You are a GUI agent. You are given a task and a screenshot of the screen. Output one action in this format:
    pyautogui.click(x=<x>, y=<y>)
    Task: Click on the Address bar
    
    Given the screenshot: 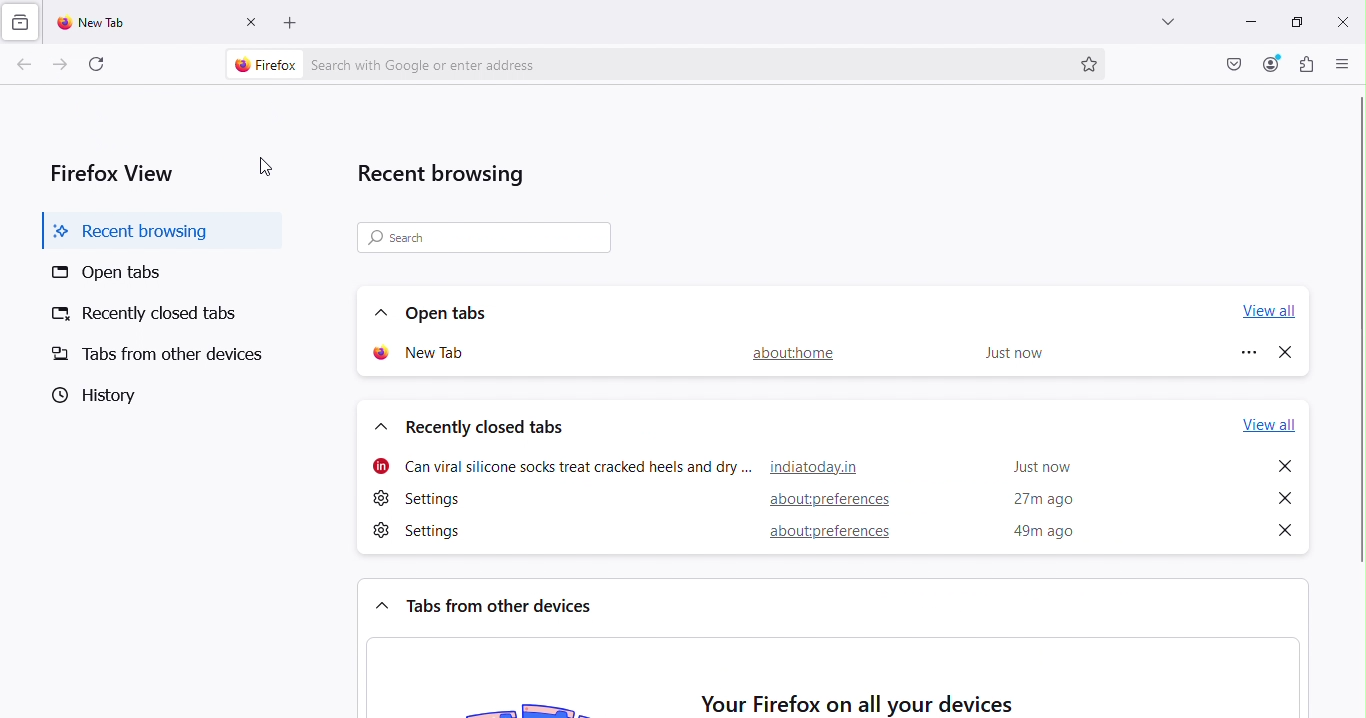 What is the action you would take?
    pyautogui.click(x=689, y=66)
    